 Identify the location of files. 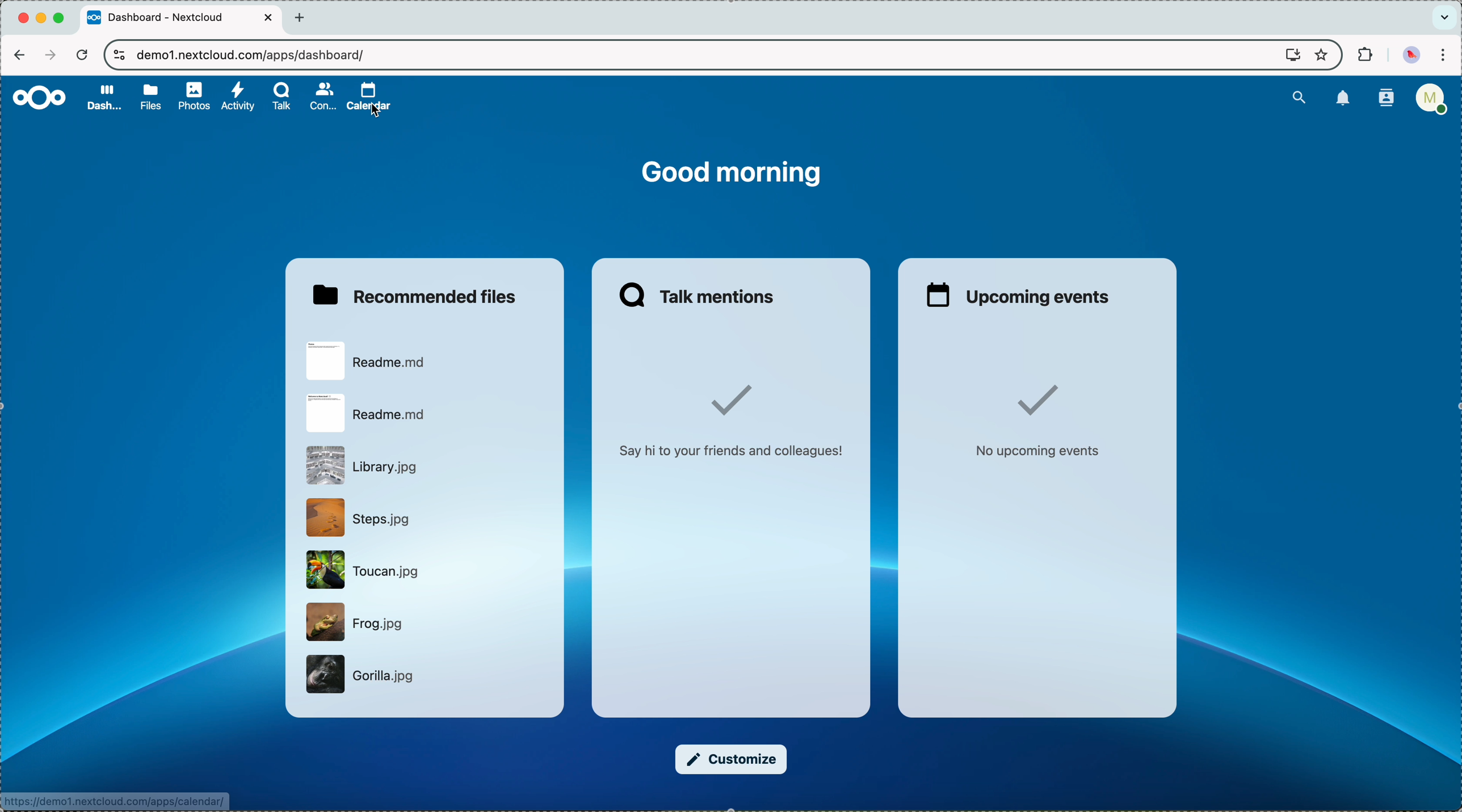
(149, 96).